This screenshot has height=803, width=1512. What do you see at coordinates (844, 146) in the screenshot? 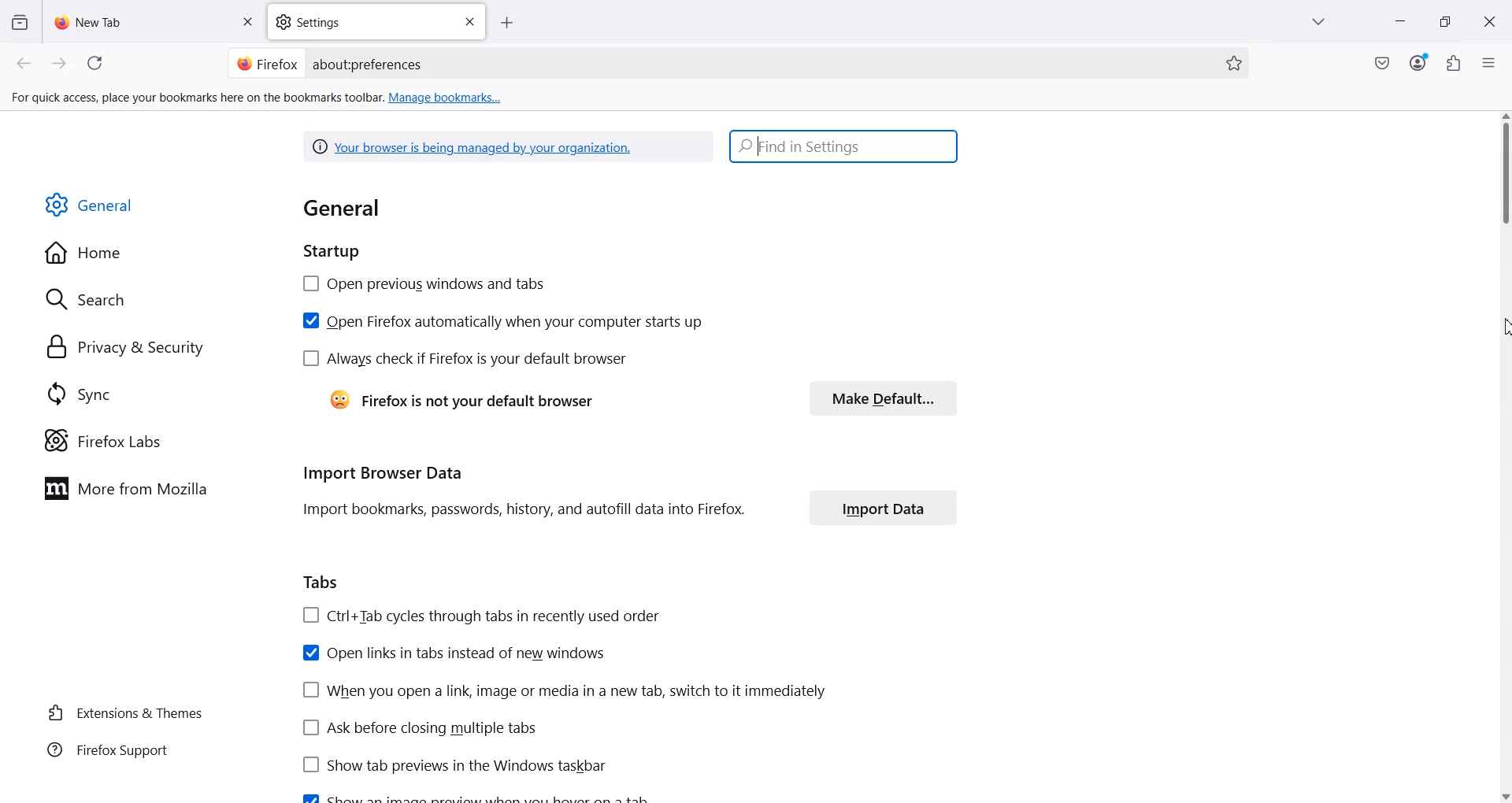
I see `Search Bar` at bounding box center [844, 146].